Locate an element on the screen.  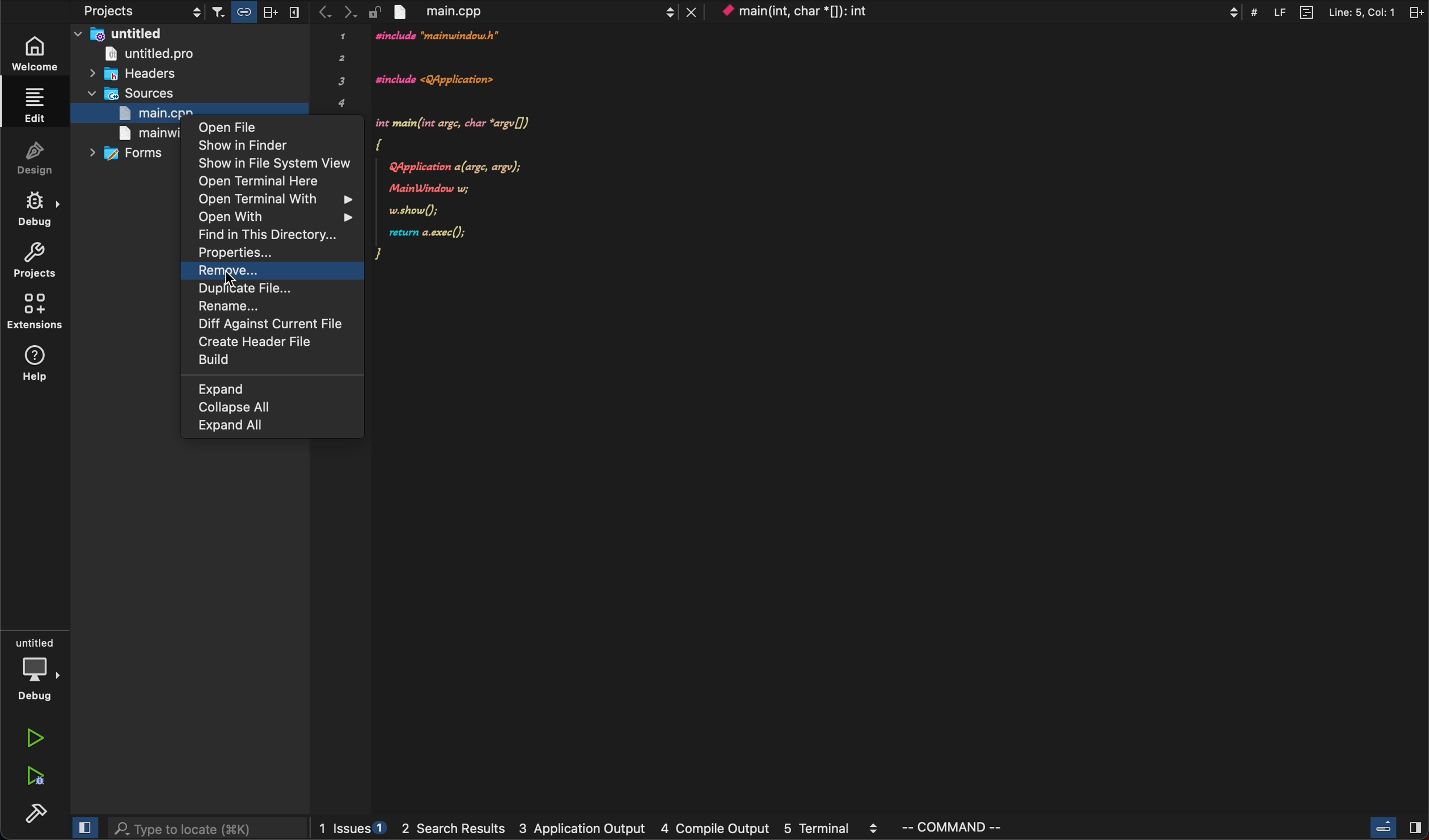
command is located at coordinates (961, 828).